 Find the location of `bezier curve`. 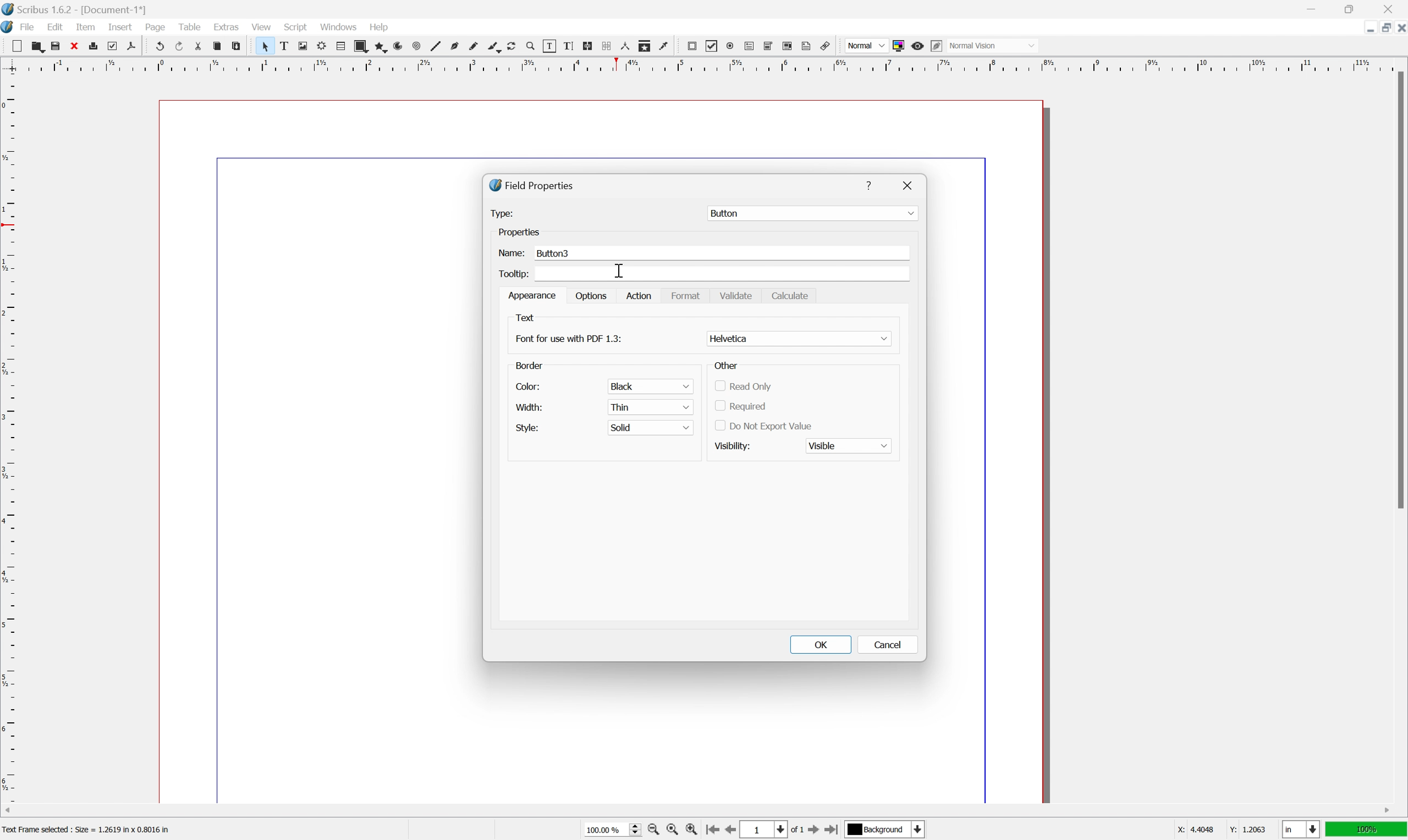

bezier curve is located at coordinates (453, 46).